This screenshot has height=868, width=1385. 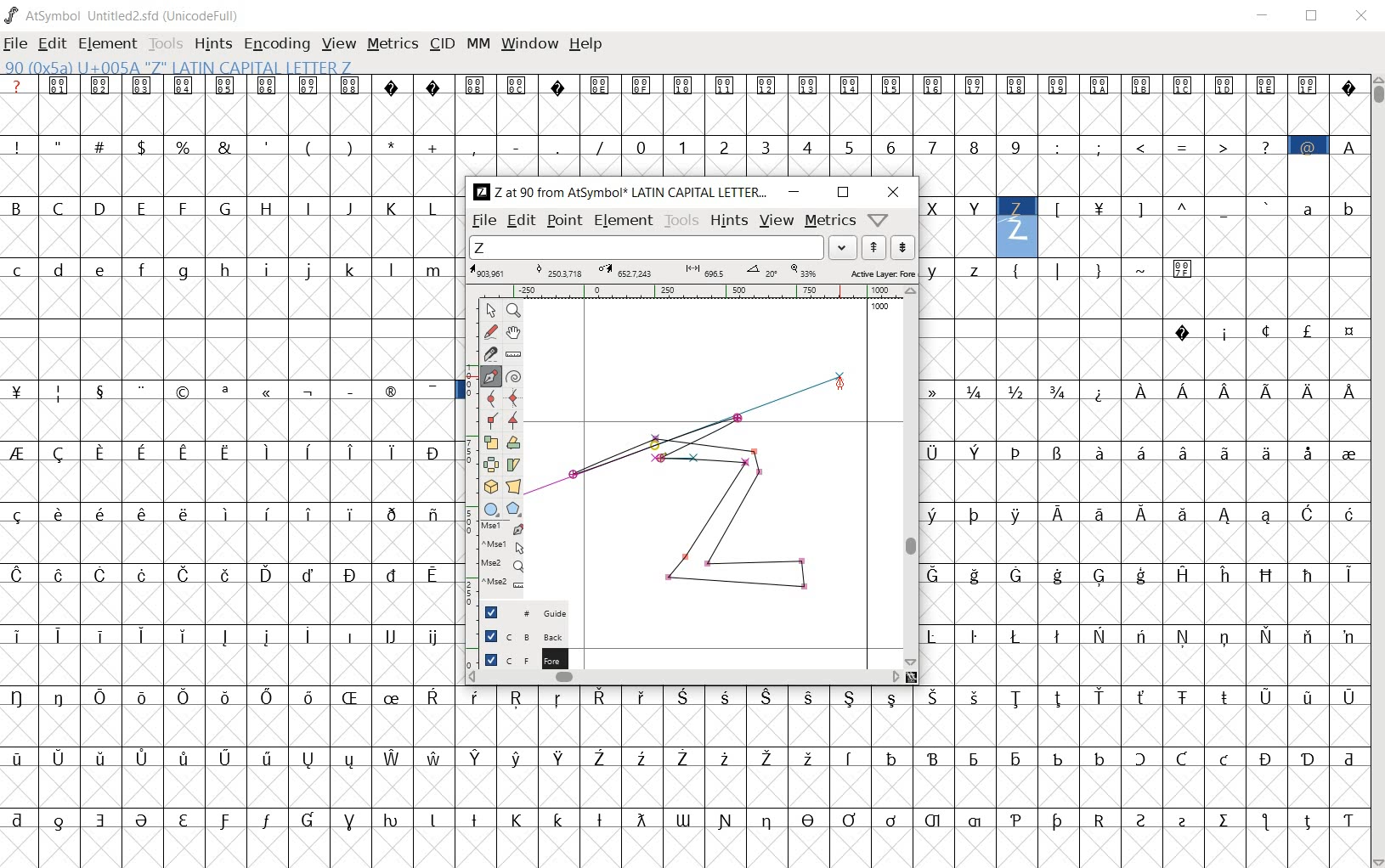 What do you see at coordinates (513, 487) in the screenshot?
I see `perform a perspective transformation on the selection` at bounding box center [513, 487].